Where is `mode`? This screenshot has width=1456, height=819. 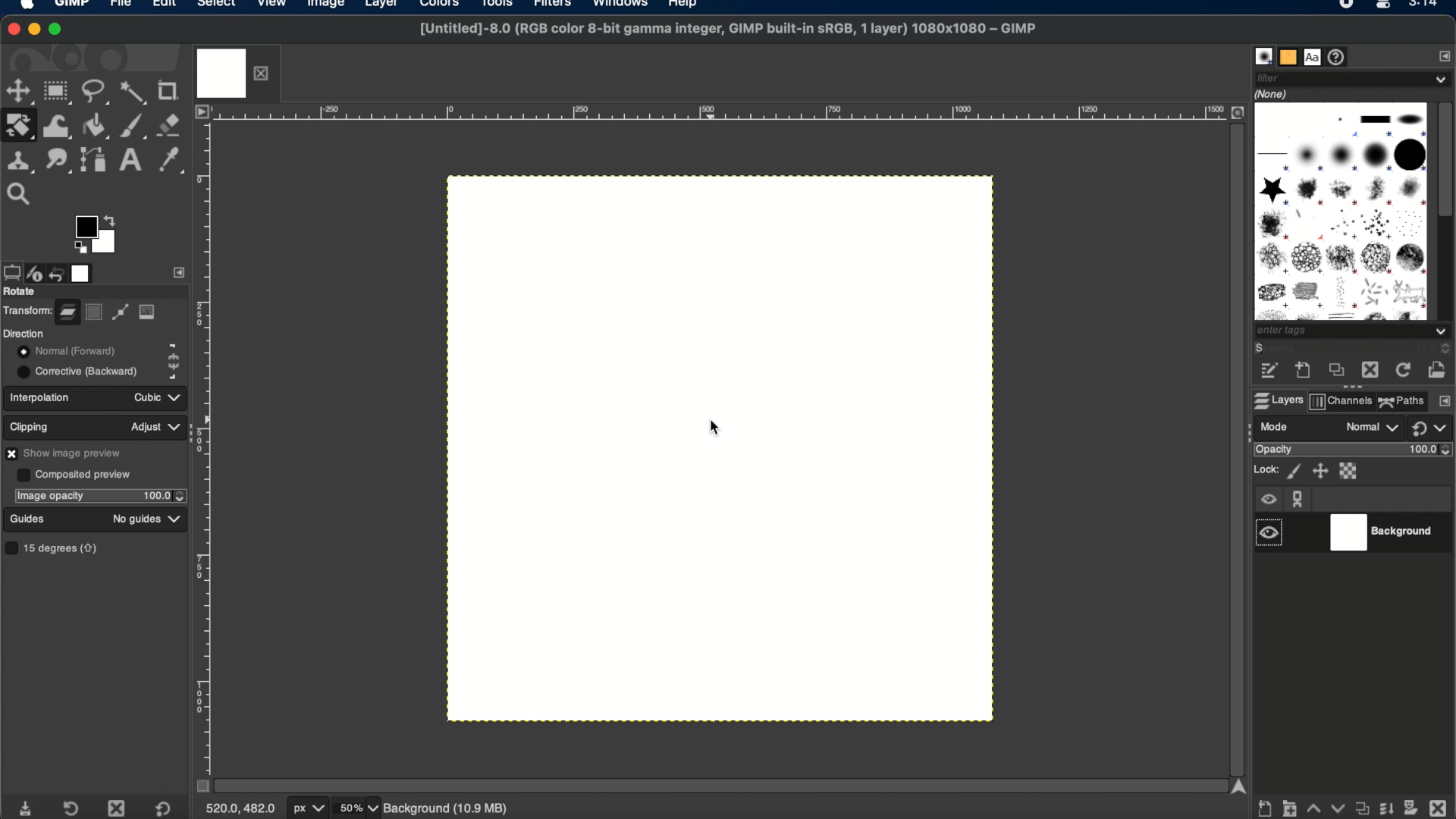
mode is located at coordinates (1276, 426).